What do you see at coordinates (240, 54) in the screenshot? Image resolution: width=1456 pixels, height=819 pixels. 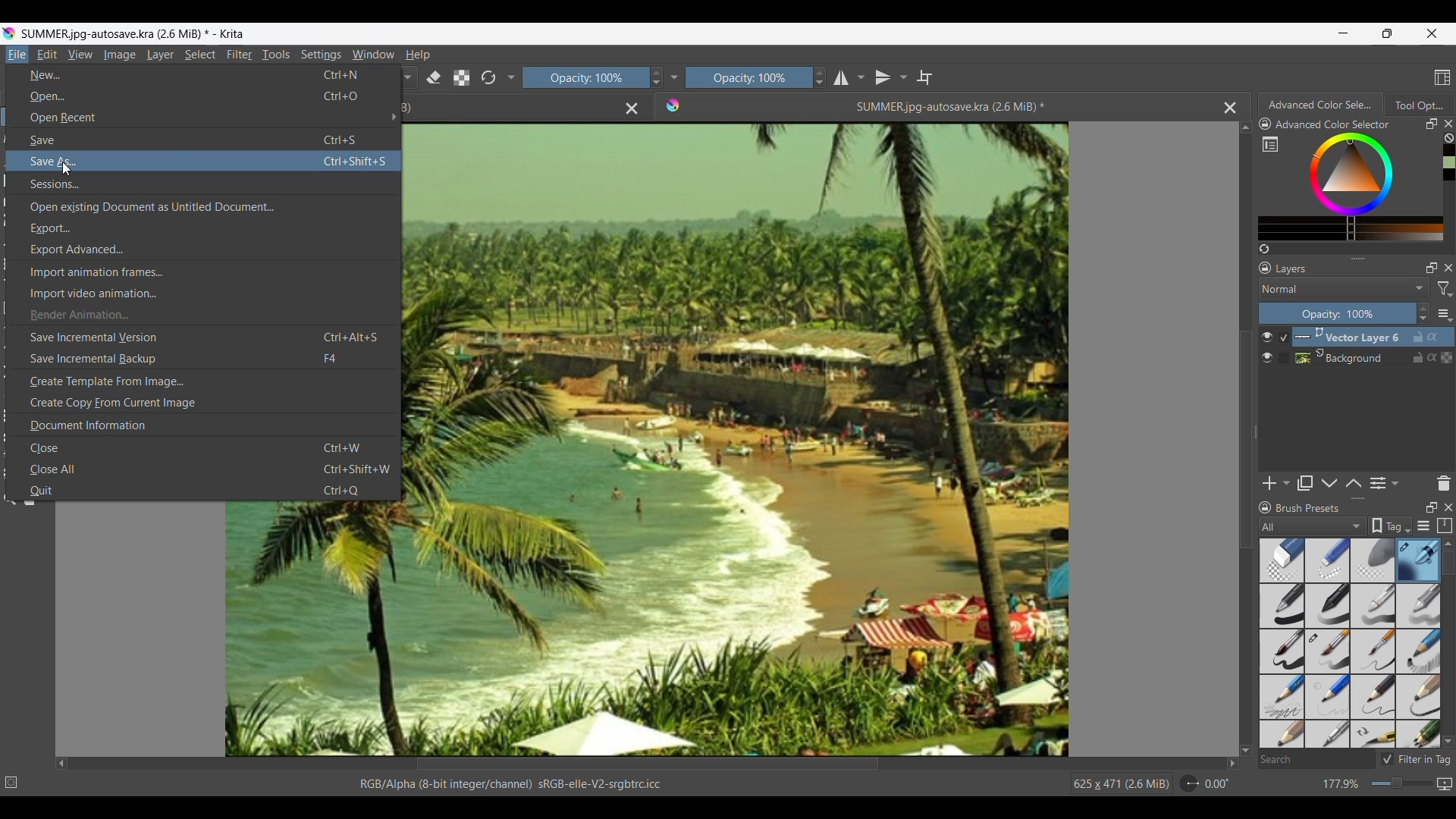 I see `Filter` at bounding box center [240, 54].